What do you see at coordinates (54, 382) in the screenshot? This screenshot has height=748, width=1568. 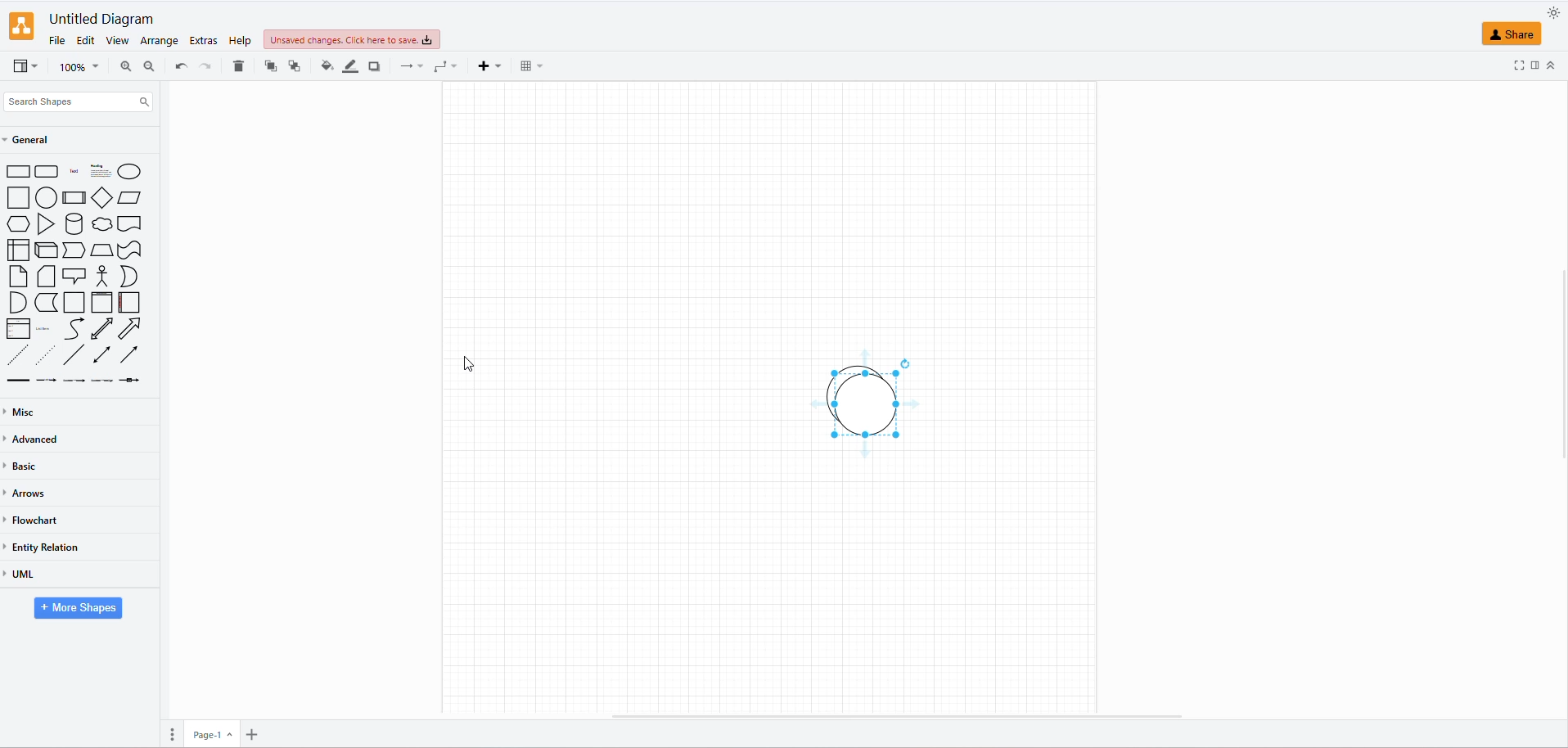 I see `dotted line` at bounding box center [54, 382].